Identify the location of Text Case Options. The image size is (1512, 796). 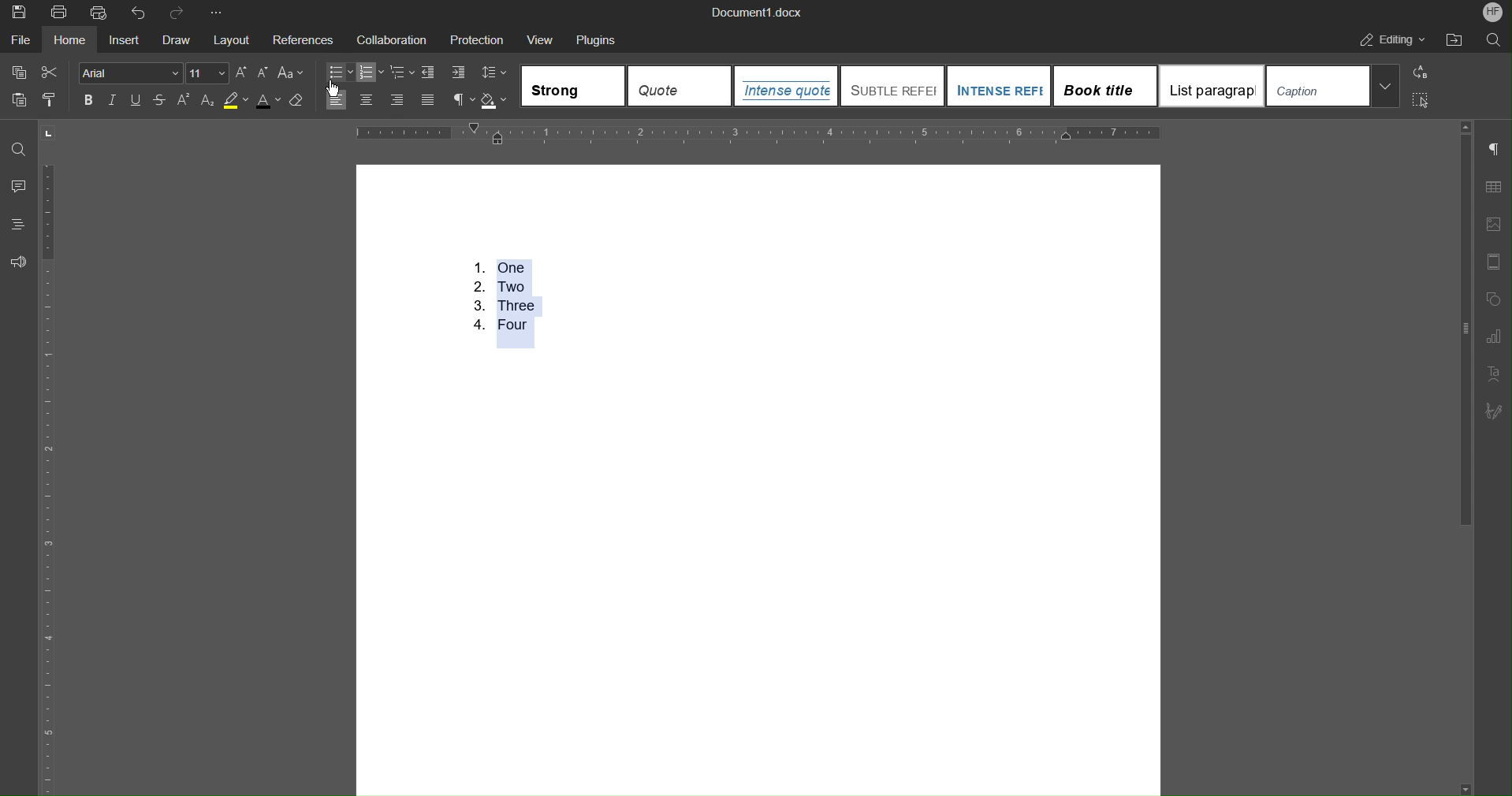
(290, 73).